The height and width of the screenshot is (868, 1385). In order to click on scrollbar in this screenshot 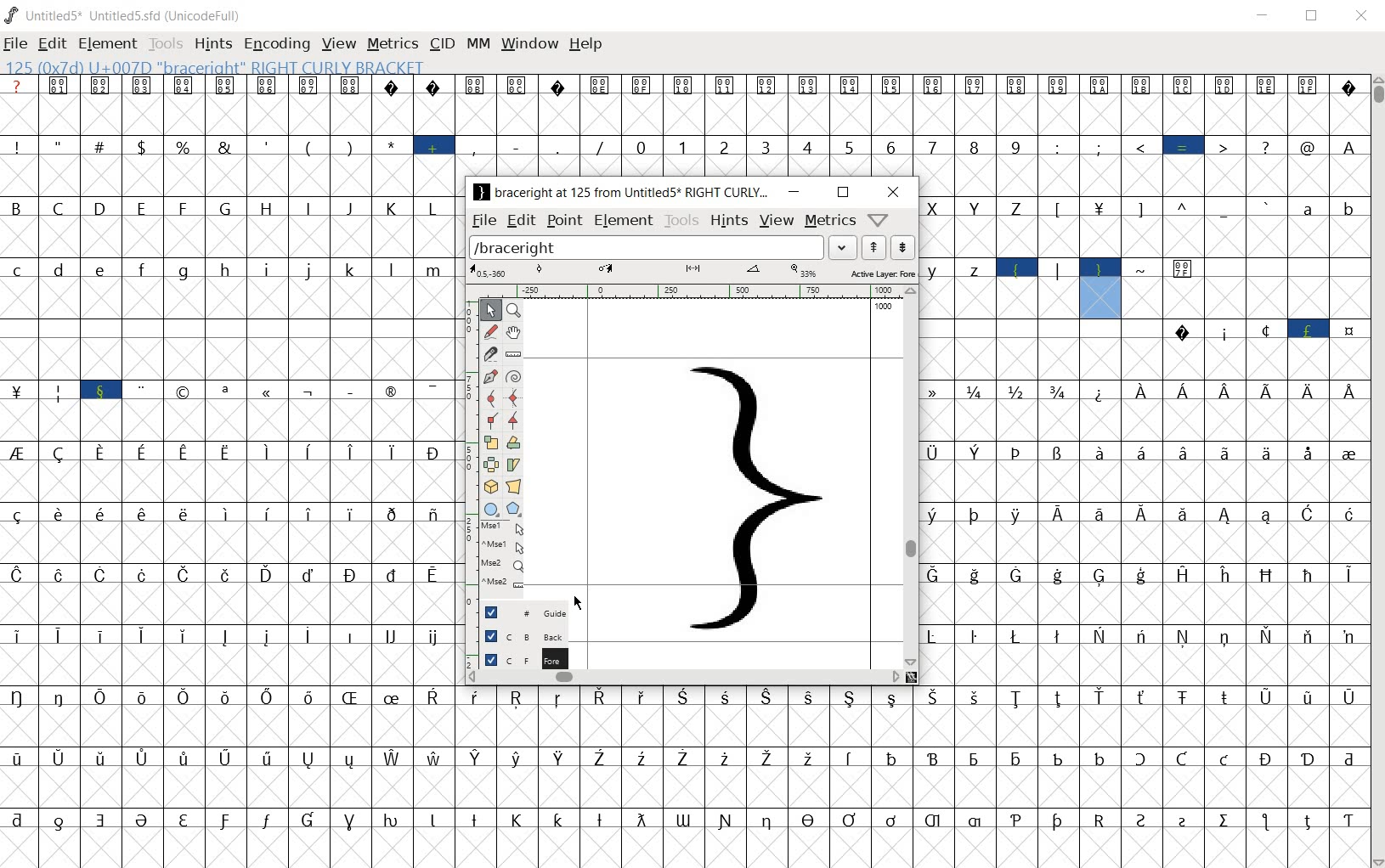, I will do `click(684, 677)`.